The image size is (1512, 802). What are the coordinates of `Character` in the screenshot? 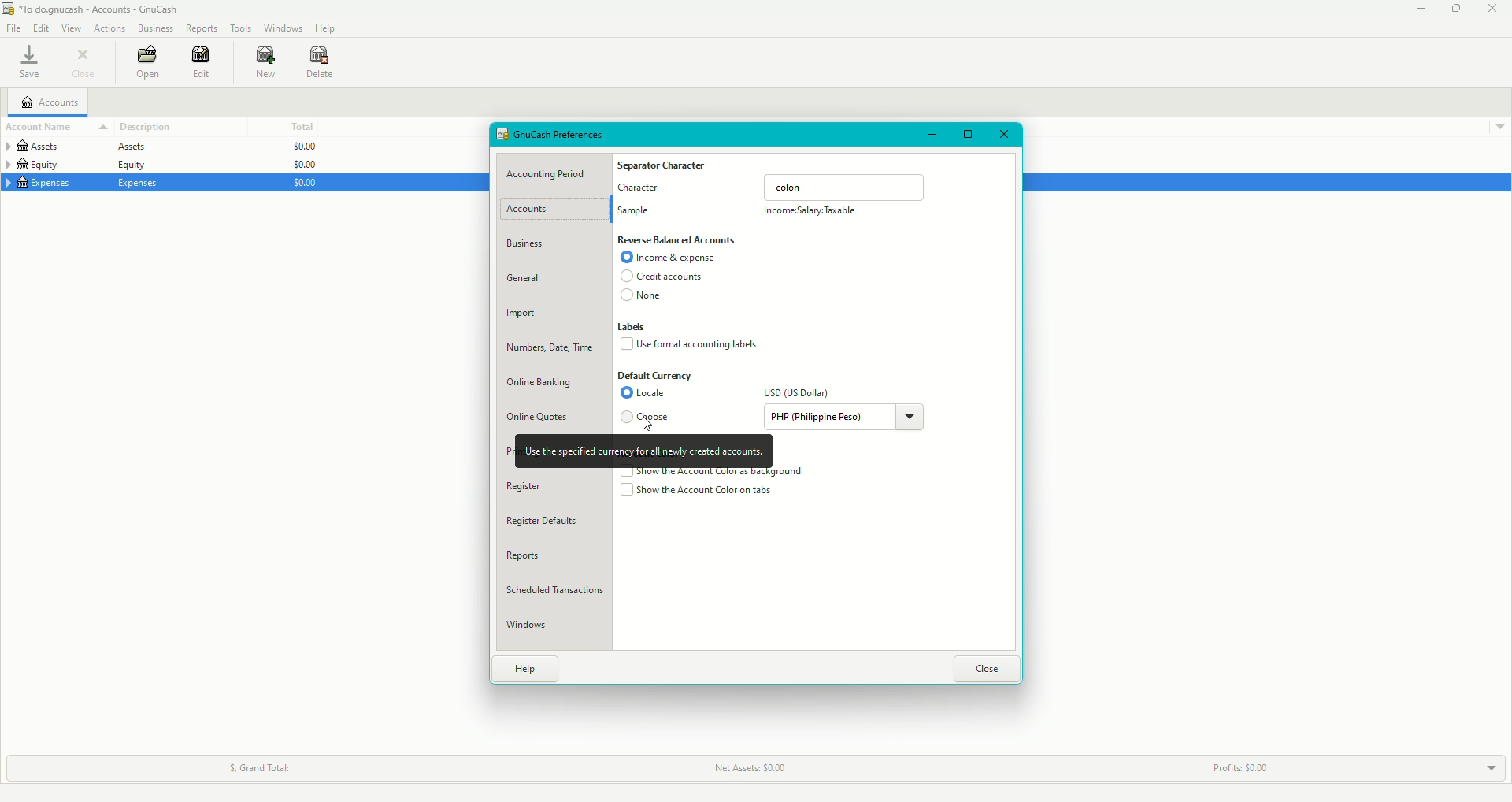 It's located at (640, 191).